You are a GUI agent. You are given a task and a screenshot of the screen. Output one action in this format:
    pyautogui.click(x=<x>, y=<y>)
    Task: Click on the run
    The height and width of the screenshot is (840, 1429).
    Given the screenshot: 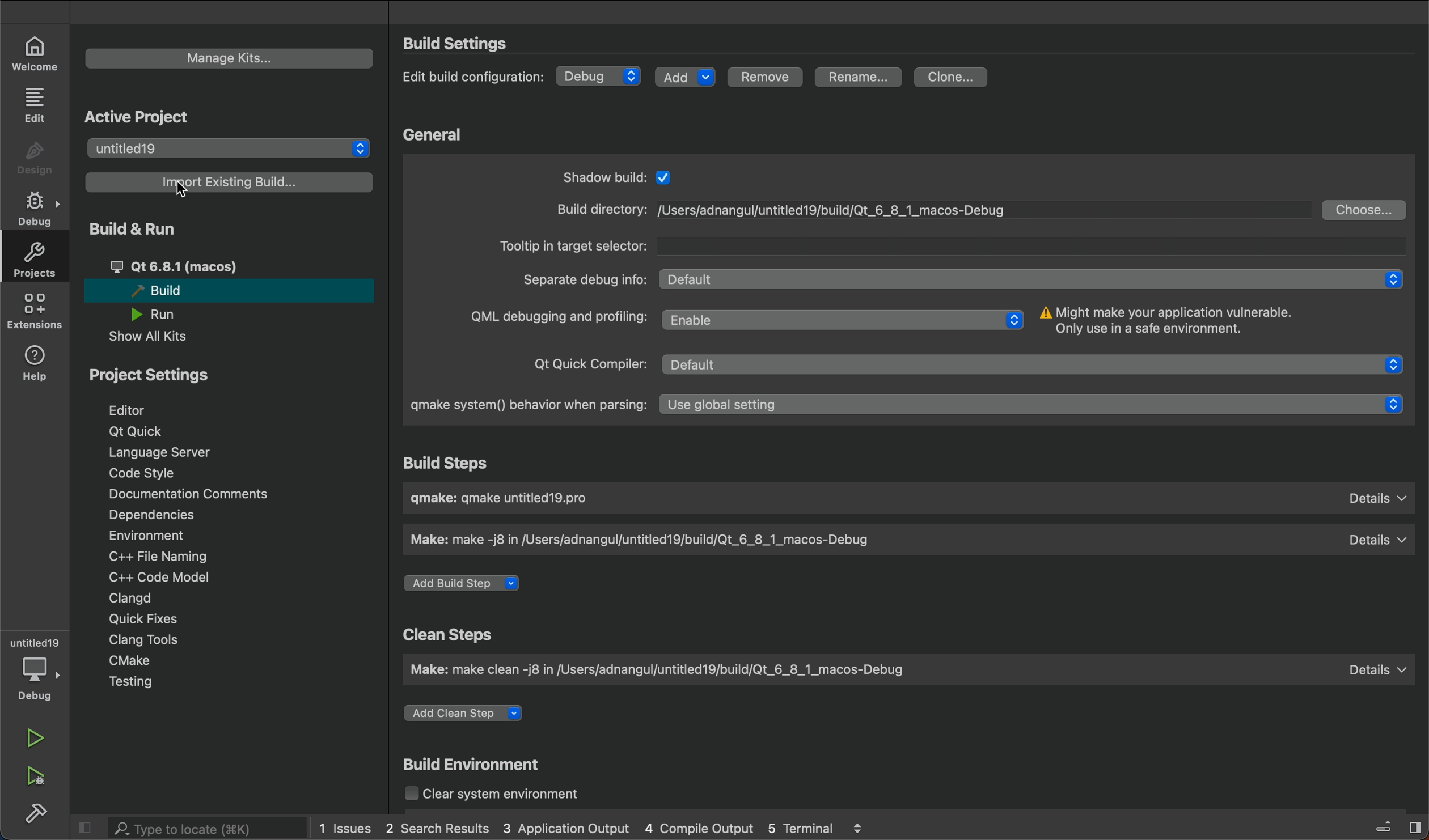 What is the action you would take?
    pyautogui.click(x=164, y=314)
    